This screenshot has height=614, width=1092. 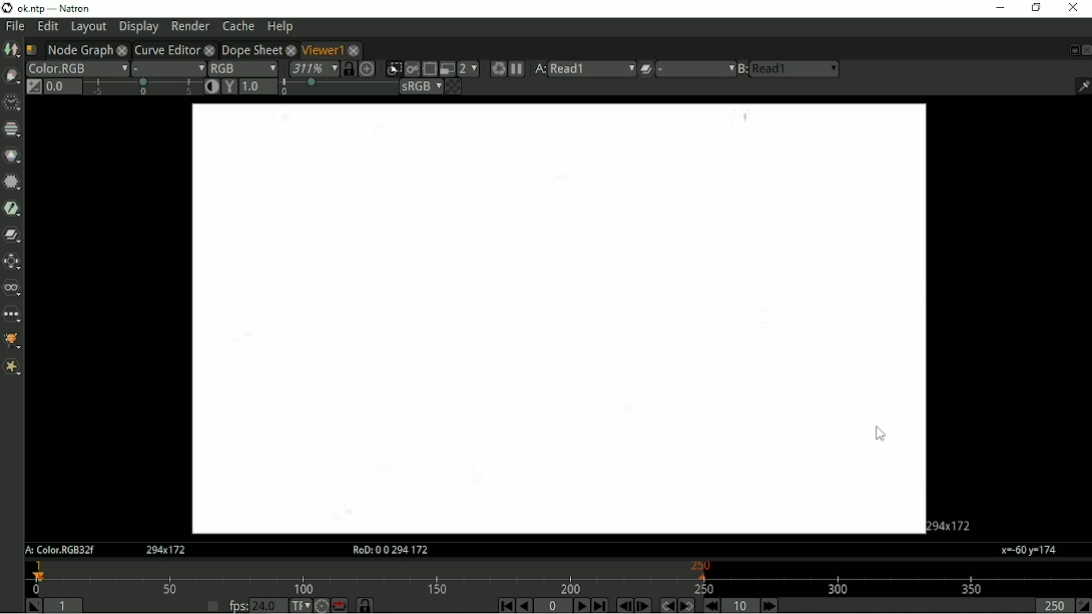 What do you see at coordinates (33, 605) in the screenshot?
I see `Set playback in point` at bounding box center [33, 605].